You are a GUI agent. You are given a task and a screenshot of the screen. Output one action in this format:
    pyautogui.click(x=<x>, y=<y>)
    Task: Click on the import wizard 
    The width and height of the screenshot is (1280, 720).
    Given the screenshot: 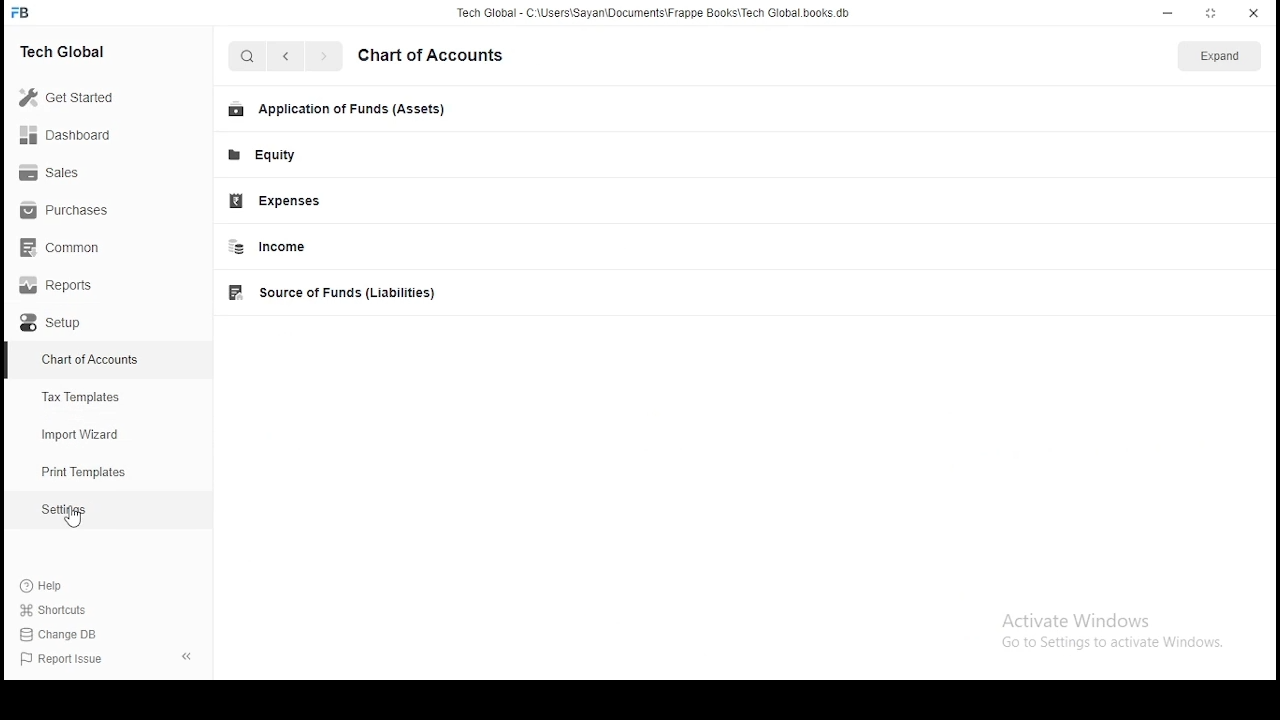 What is the action you would take?
    pyautogui.click(x=82, y=433)
    